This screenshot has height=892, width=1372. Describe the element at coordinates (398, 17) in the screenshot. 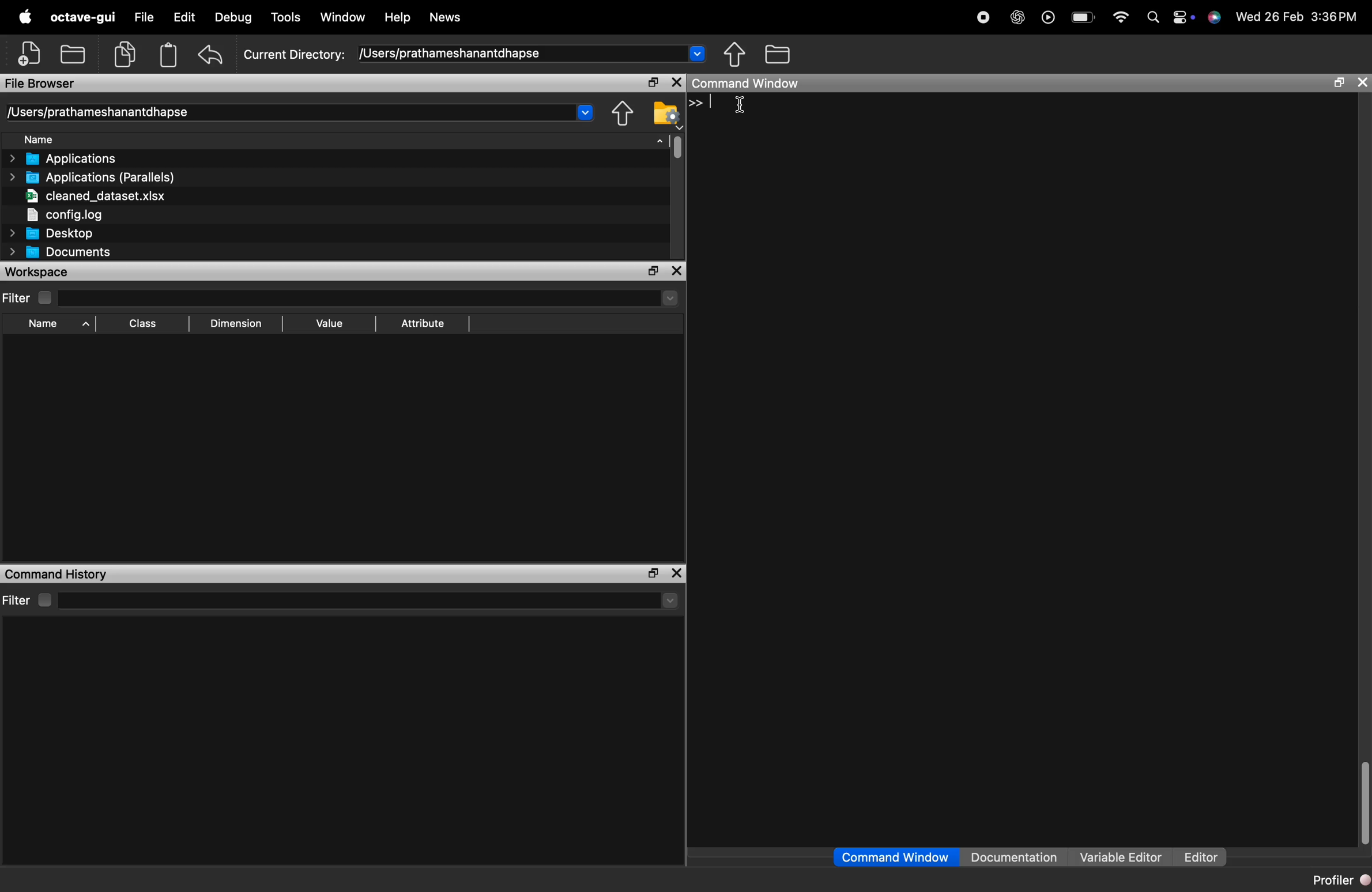

I see `Help` at that location.